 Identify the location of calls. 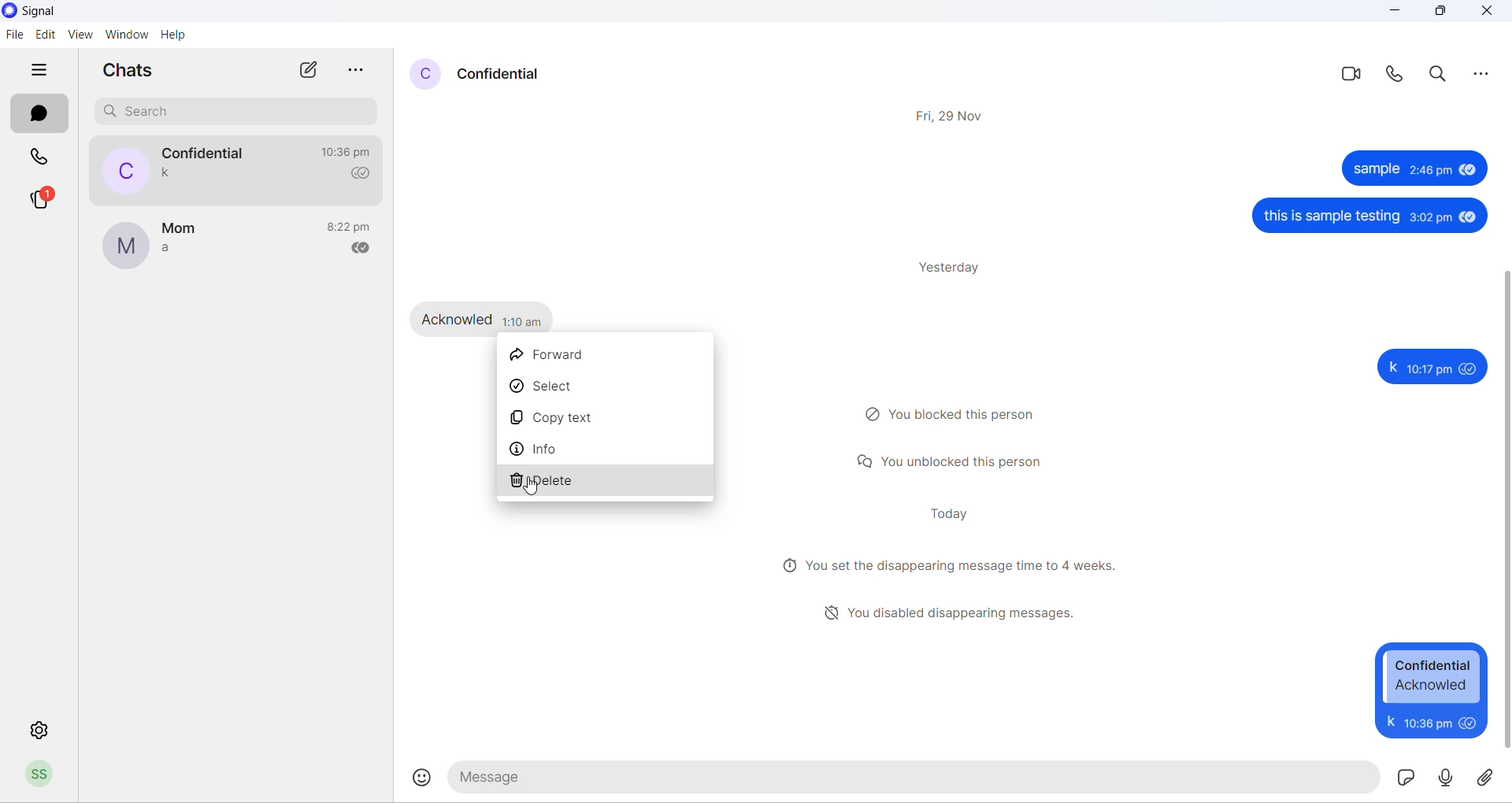
(44, 157).